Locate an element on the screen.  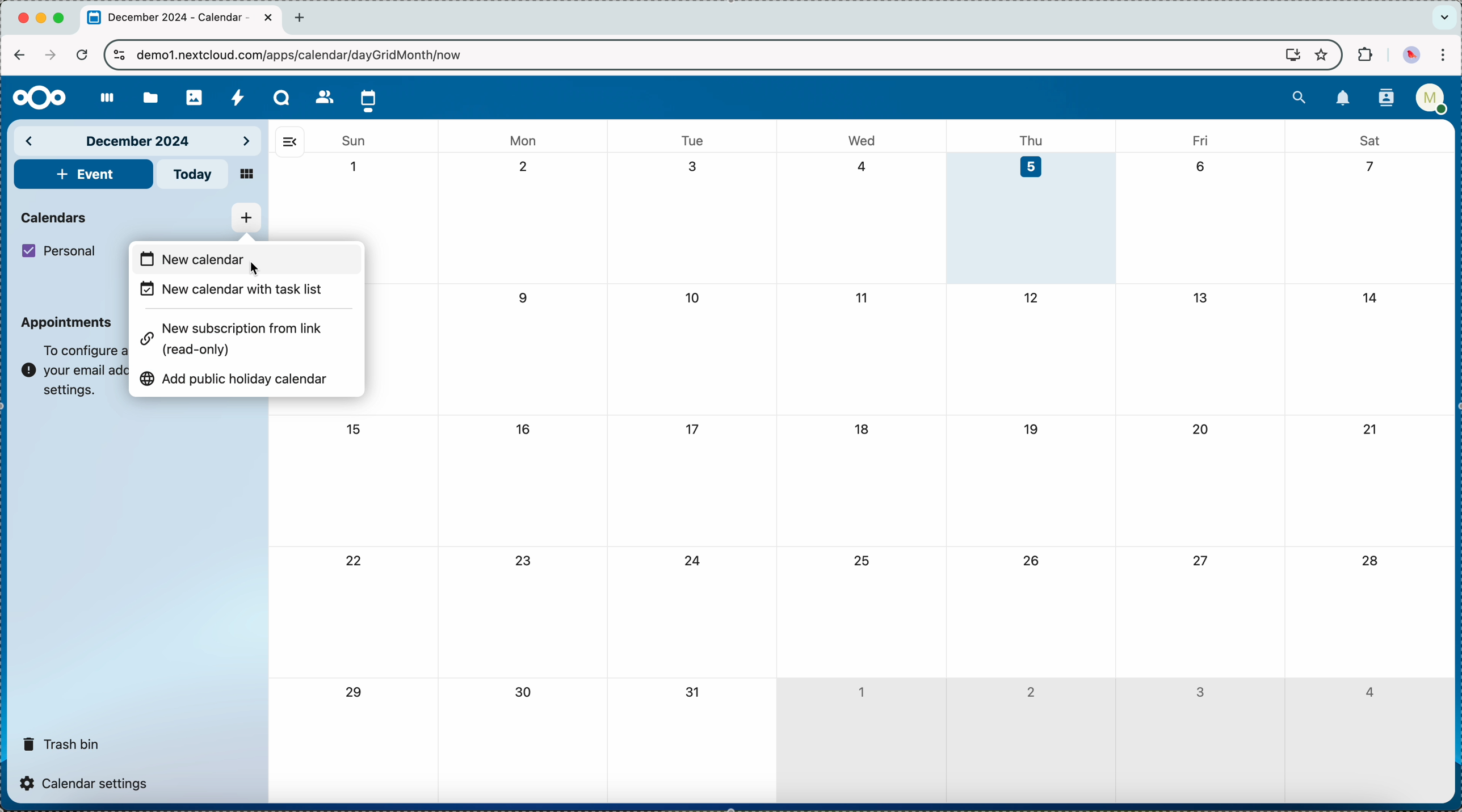
4 is located at coordinates (863, 166).